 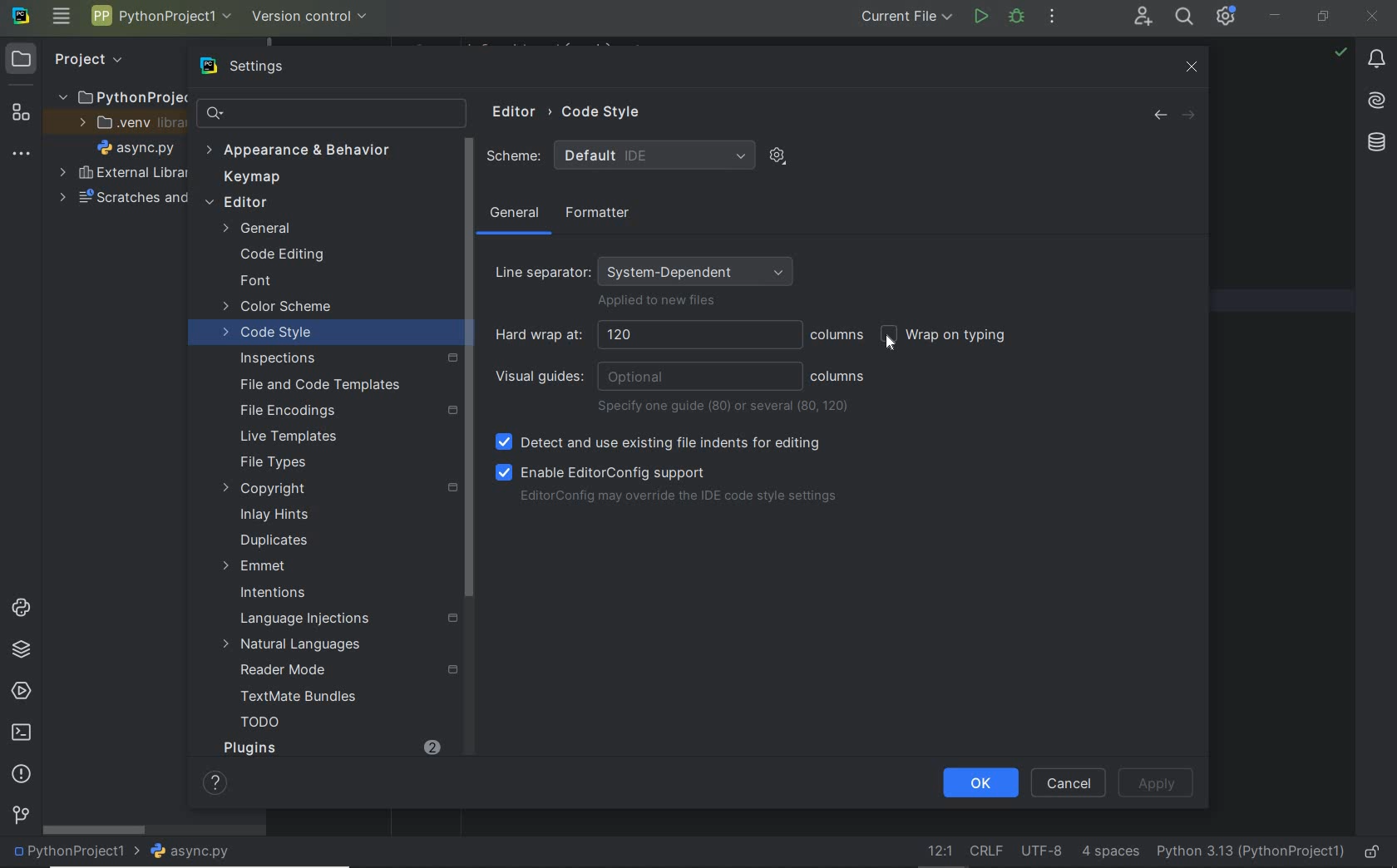 What do you see at coordinates (21, 774) in the screenshot?
I see `problems` at bounding box center [21, 774].